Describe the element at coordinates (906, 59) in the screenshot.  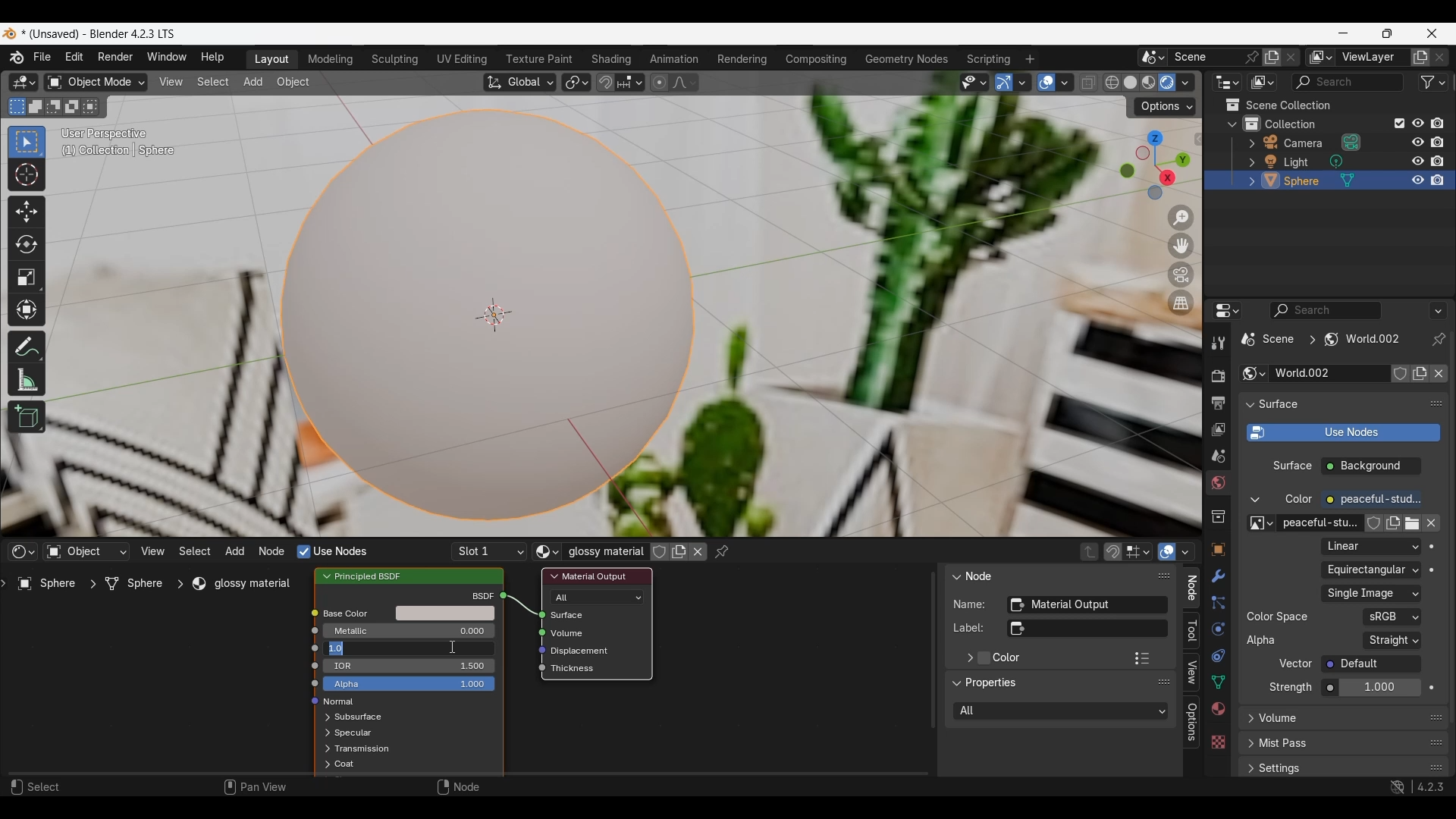
I see `Geometry nodes workspace` at that location.